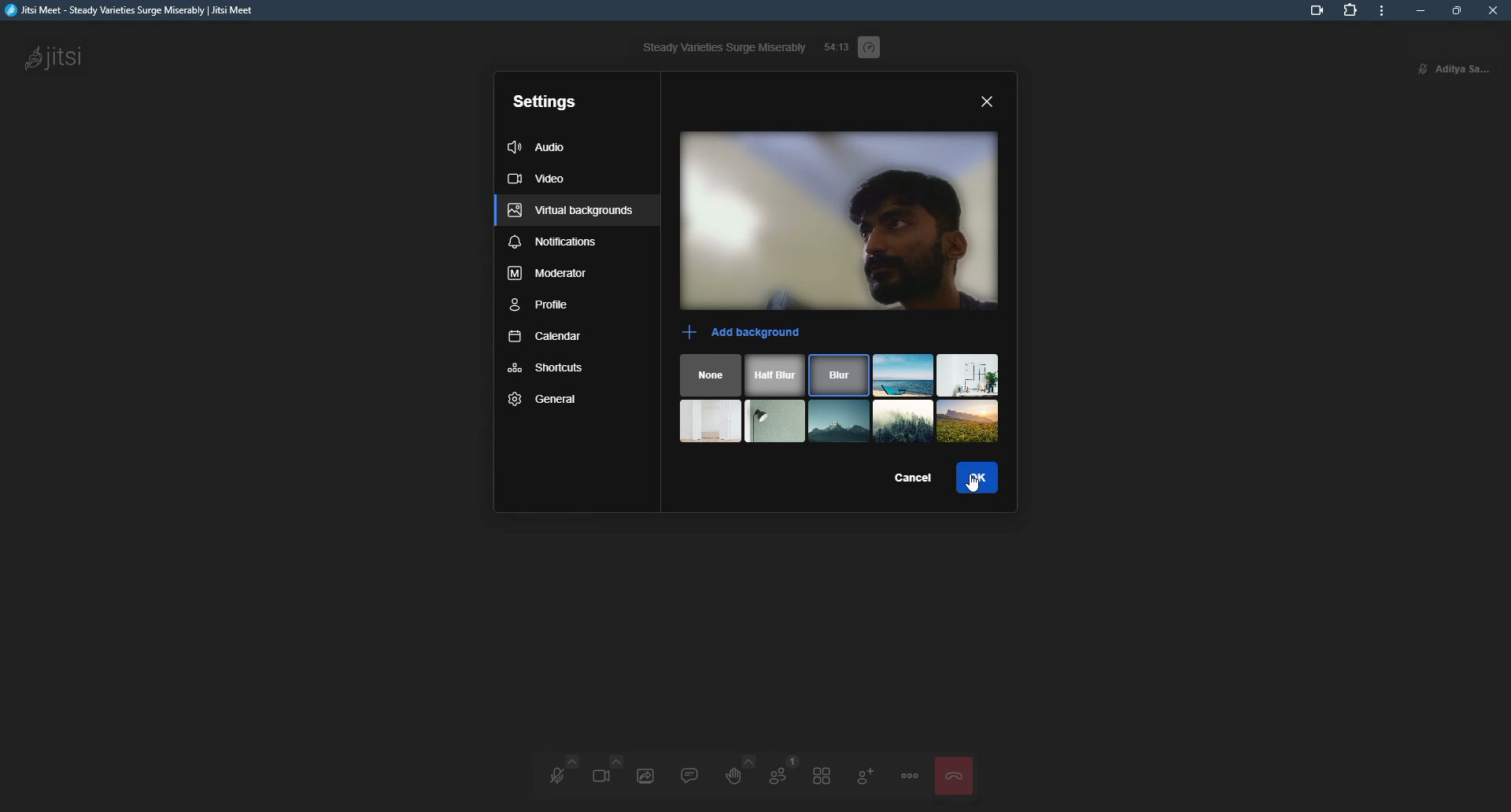 The width and height of the screenshot is (1511, 812). What do you see at coordinates (711, 375) in the screenshot?
I see `none` at bounding box center [711, 375].